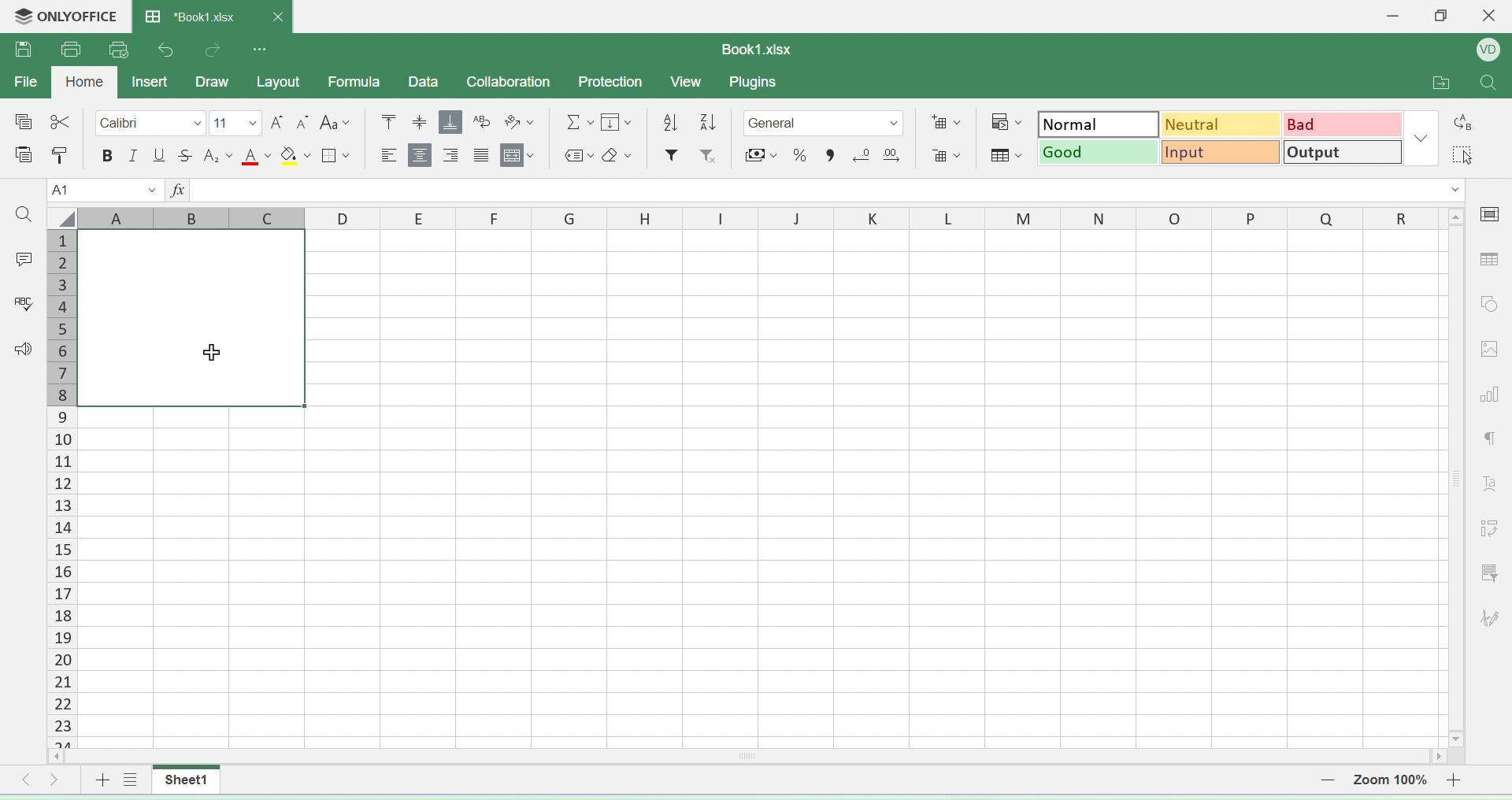  What do you see at coordinates (1484, 86) in the screenshot?
I see `search` at bounding box center [1484, 86].